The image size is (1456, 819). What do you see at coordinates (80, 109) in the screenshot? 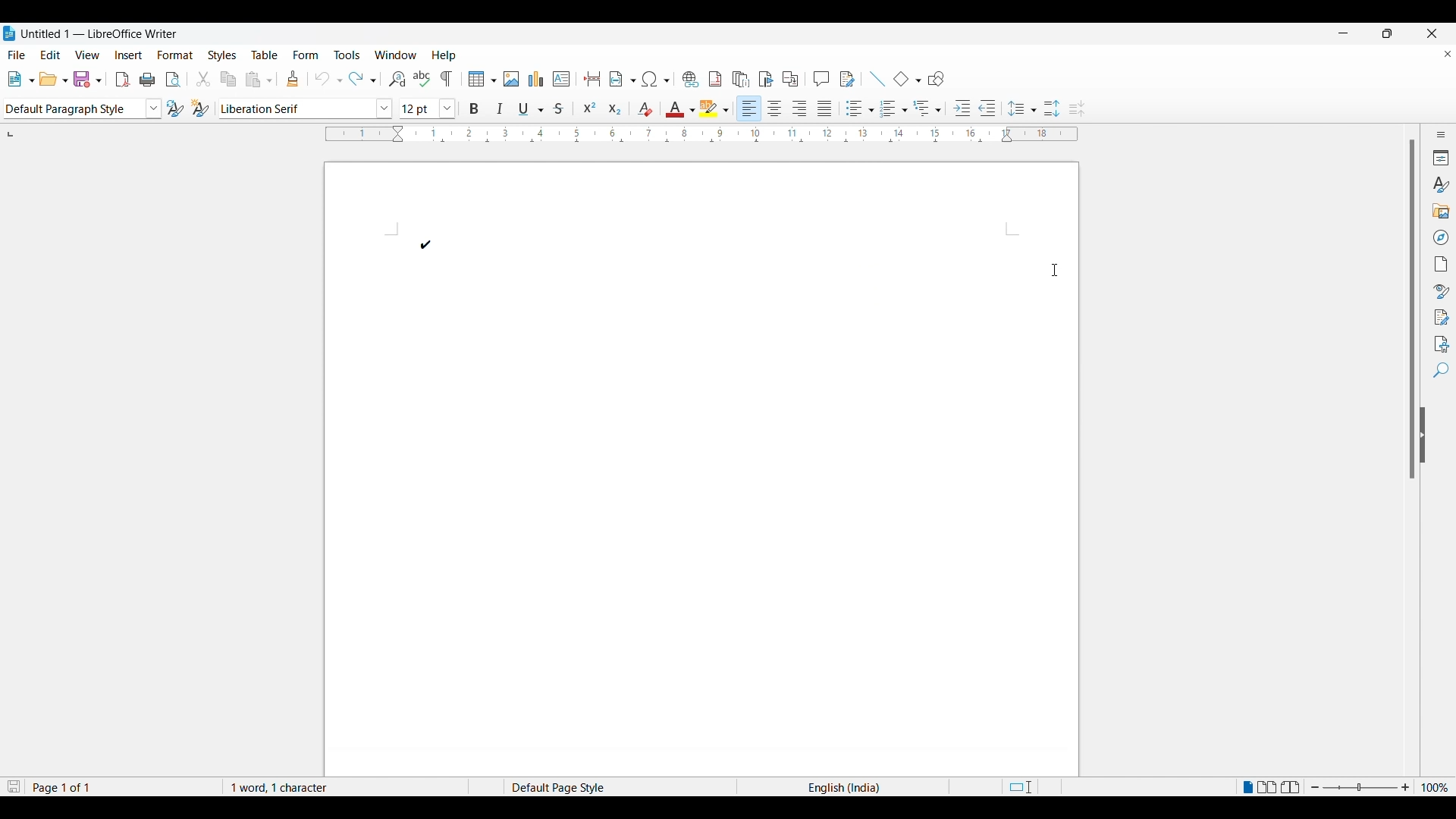
I see `paragraph style` at bounding box center [80, 109].